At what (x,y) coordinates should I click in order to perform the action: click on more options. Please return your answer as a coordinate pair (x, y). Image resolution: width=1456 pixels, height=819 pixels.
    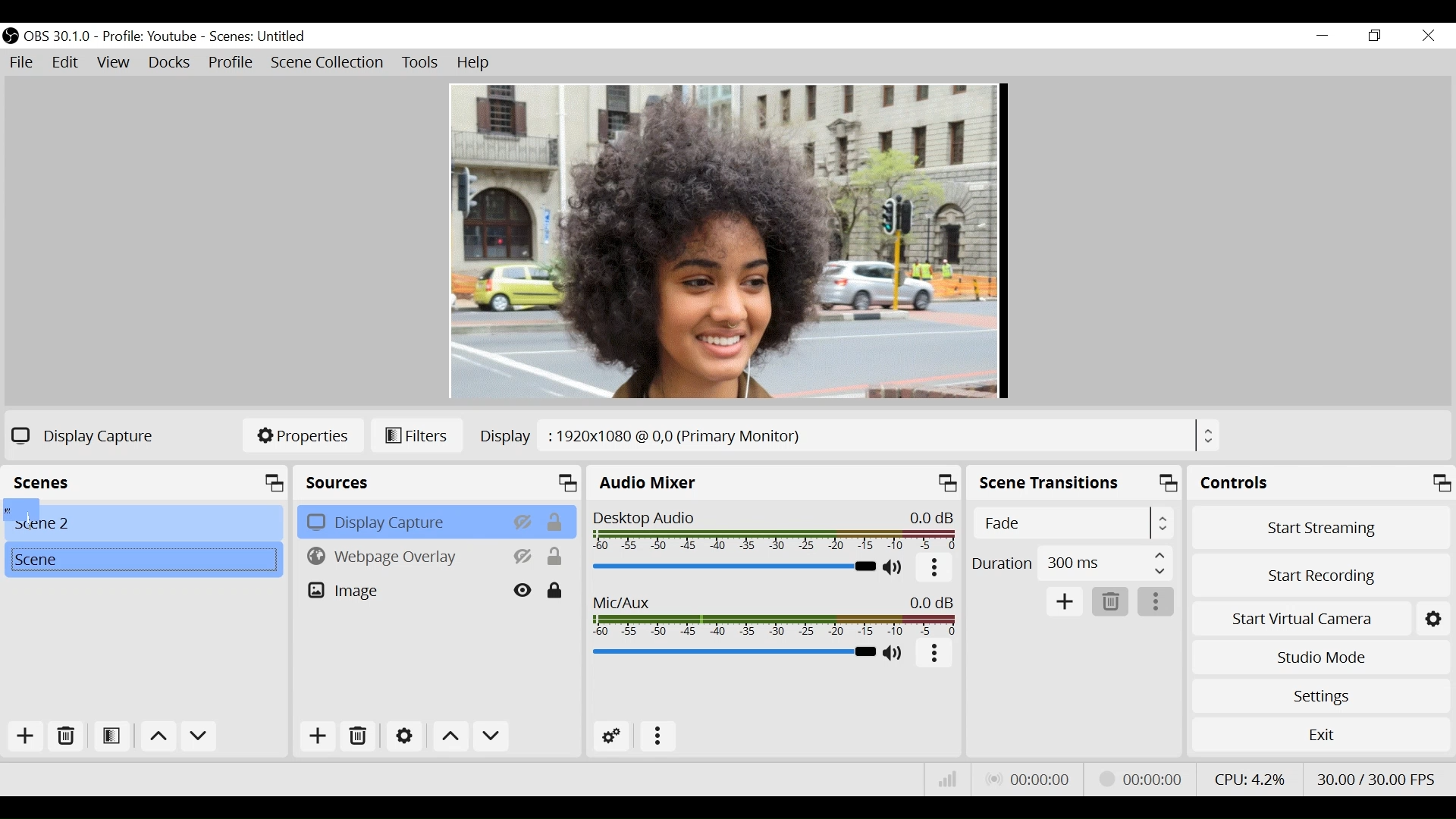
    Looking at the image, I should click on (935, 653).